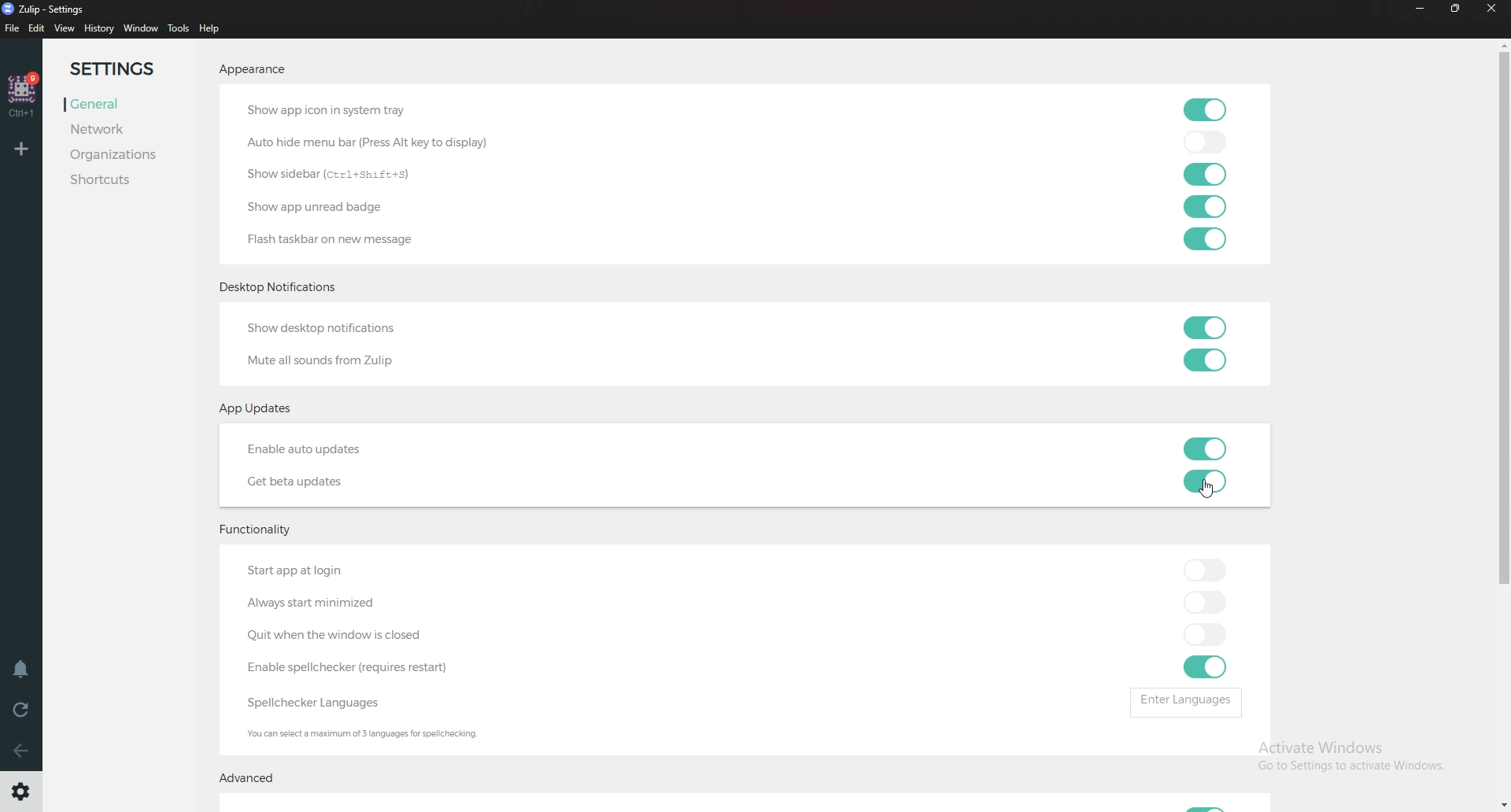 The image size is (1511, 812). What do you see at coordinates (1205, 360) in the screenshot?
I see `toggle` at bounding box center [1205, 360].